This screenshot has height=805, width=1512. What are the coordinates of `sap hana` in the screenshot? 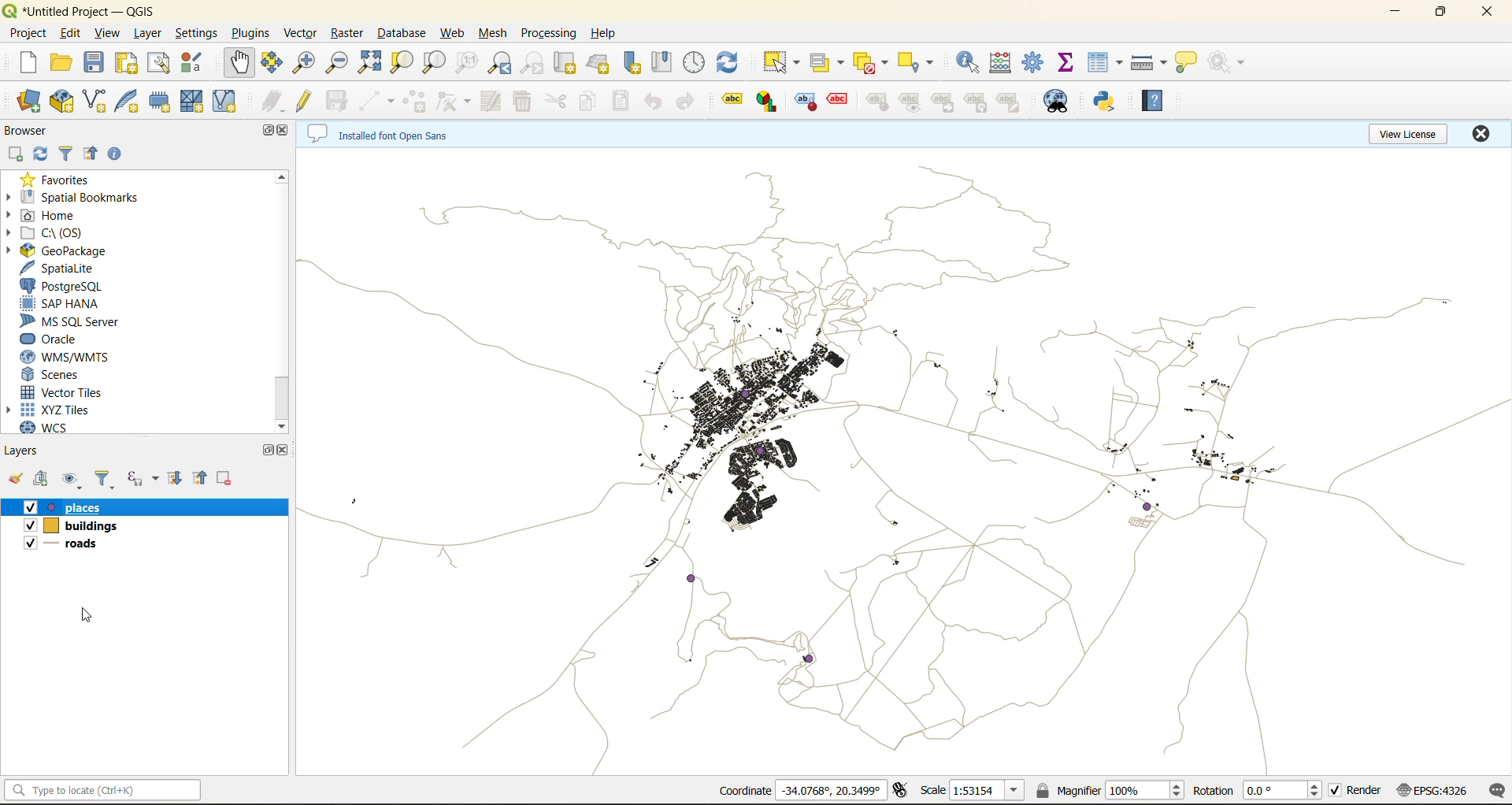 It's located at (61, 304).